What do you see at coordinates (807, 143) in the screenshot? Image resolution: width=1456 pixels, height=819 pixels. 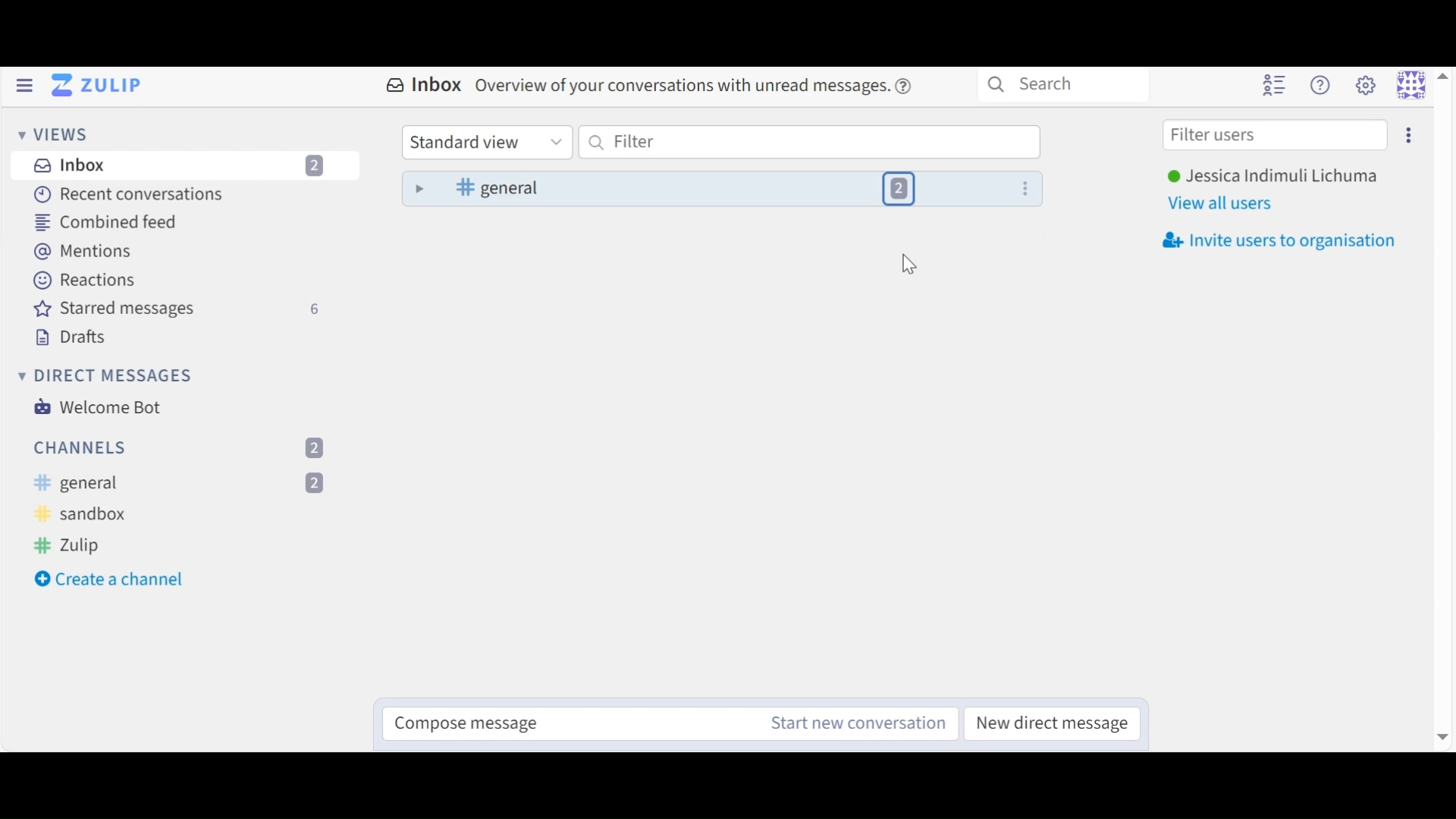 I see `Filter` at bounding box center [807, 143].